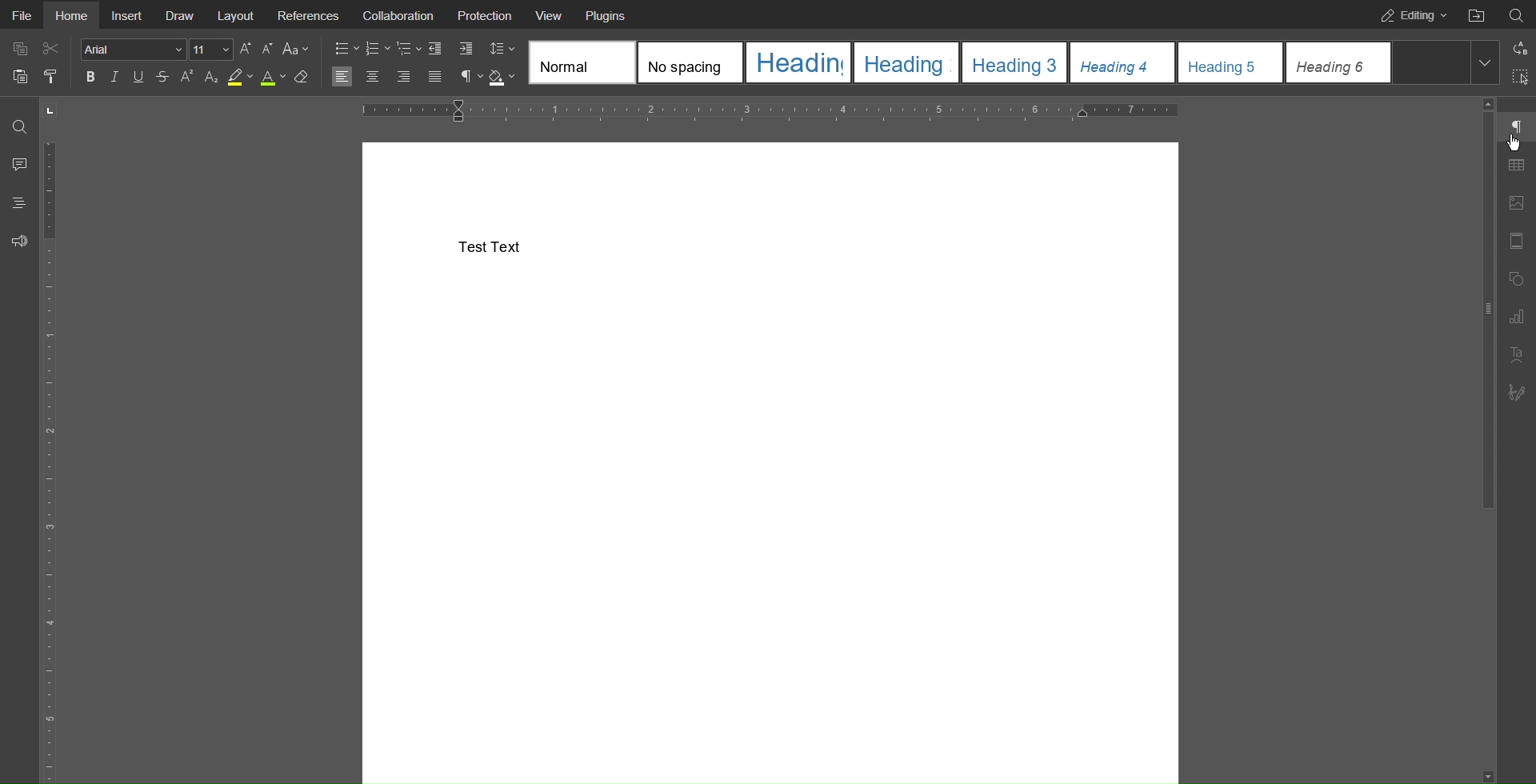  What do you see at coordinates (1514, 393) in the screenshot?
I see `Signature` at bounding box center [1514, 393].